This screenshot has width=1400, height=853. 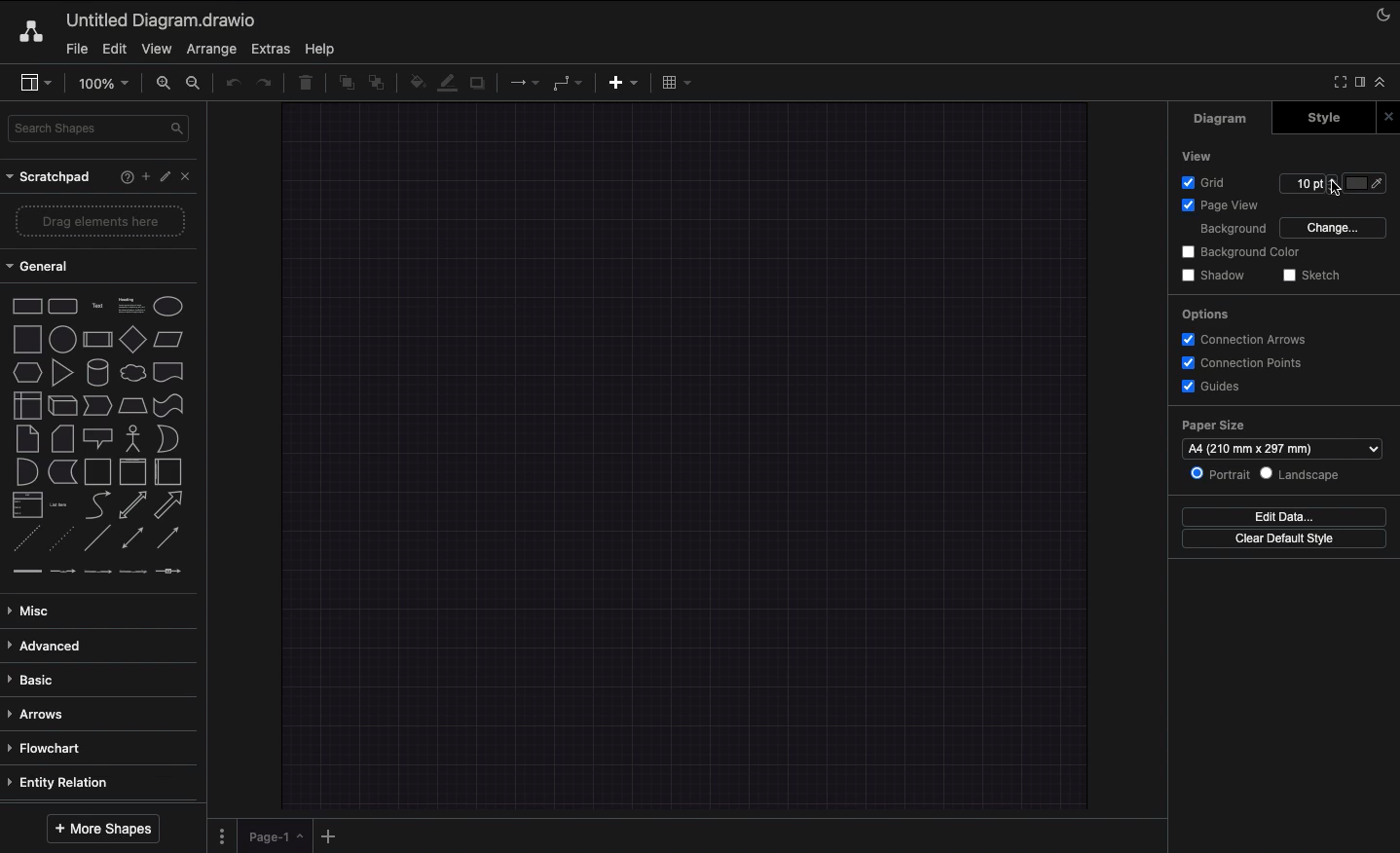 I want to click on Misc, so click(x=36, y=611).